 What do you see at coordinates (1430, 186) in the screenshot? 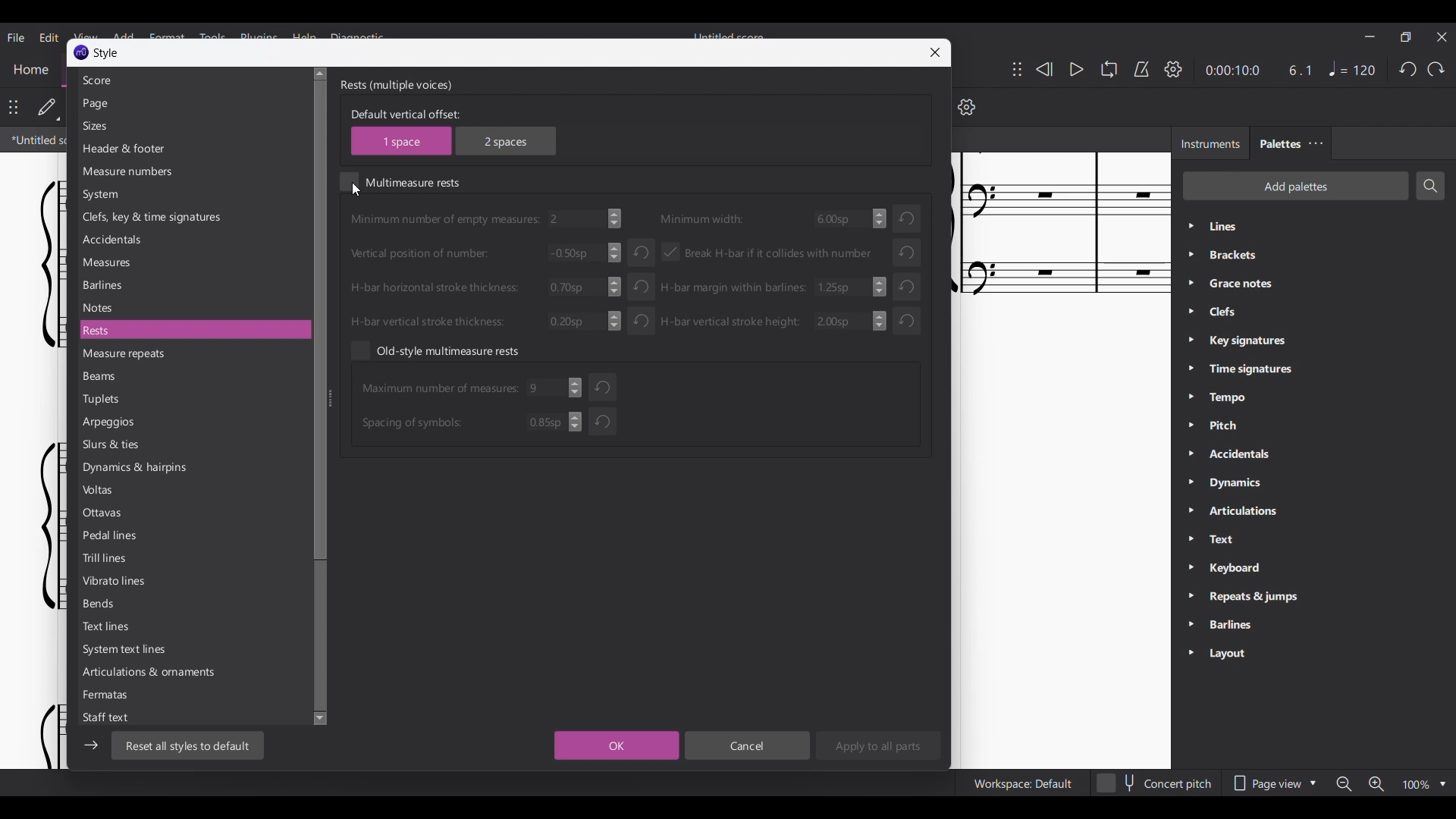
I see `Search palettes` at bounding box center [1430, 186].